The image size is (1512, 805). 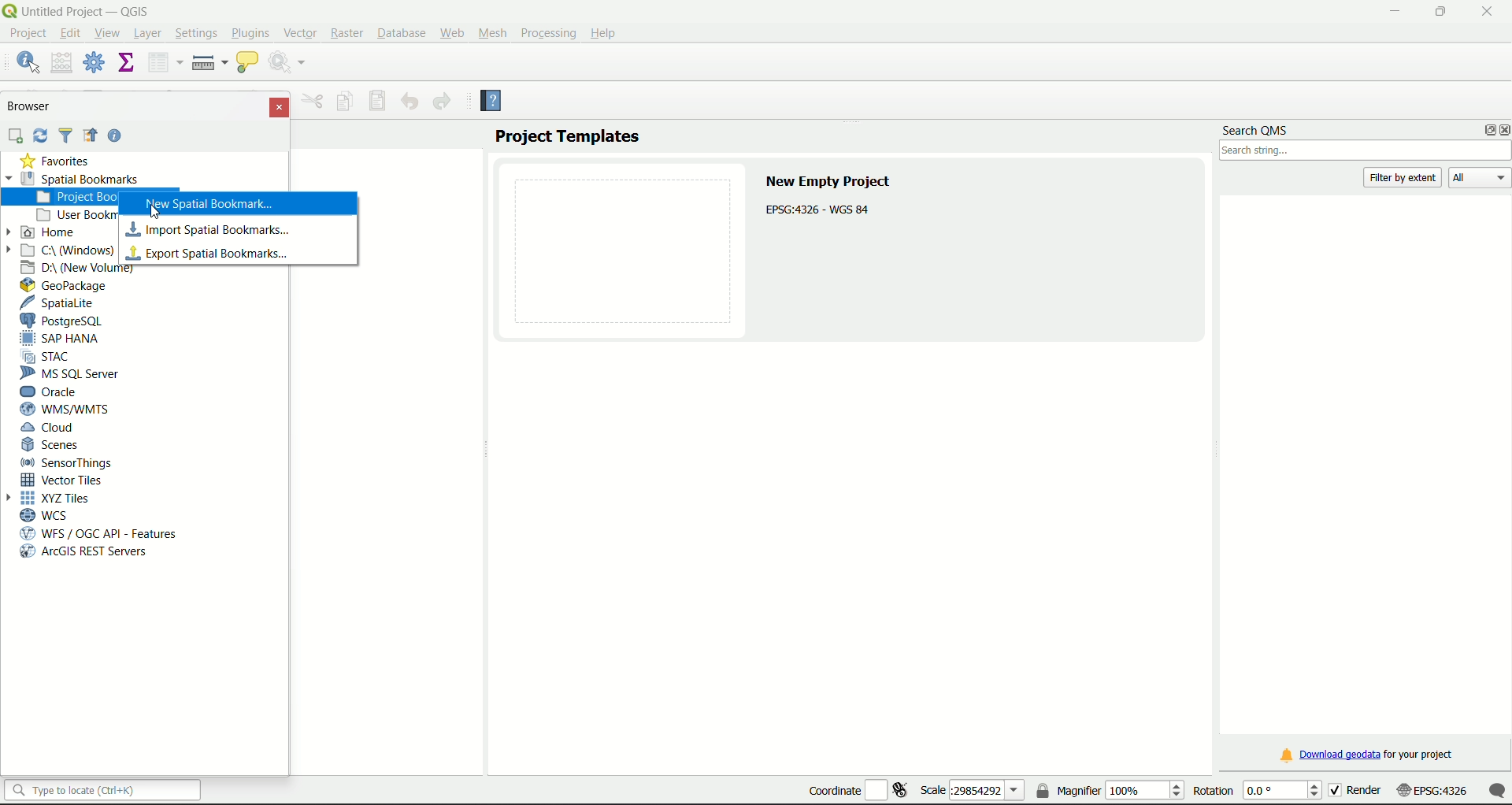 I want to click on add, so click(x=14, y=136).